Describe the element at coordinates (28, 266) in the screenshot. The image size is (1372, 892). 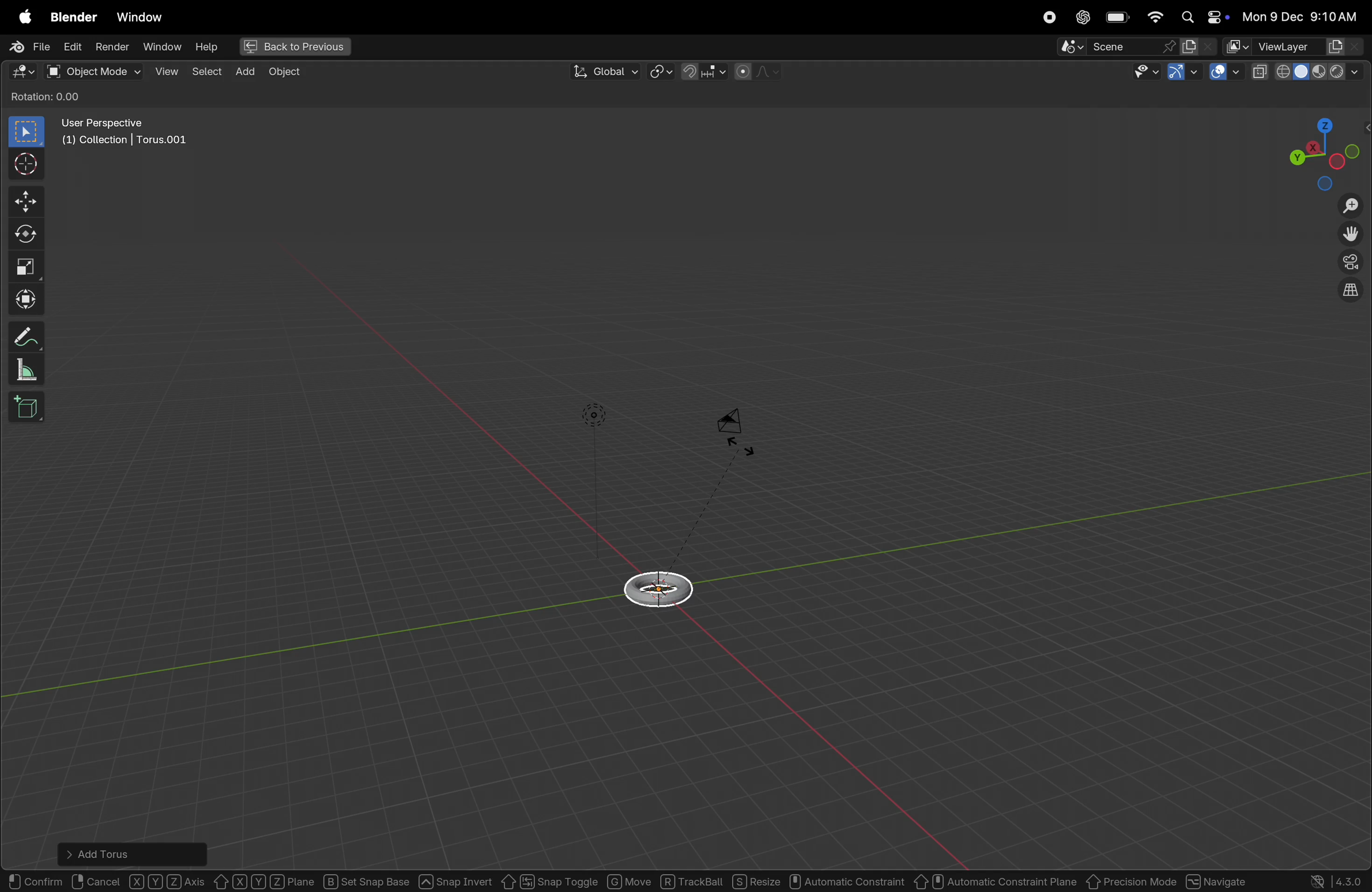
I see `scale` at that location.